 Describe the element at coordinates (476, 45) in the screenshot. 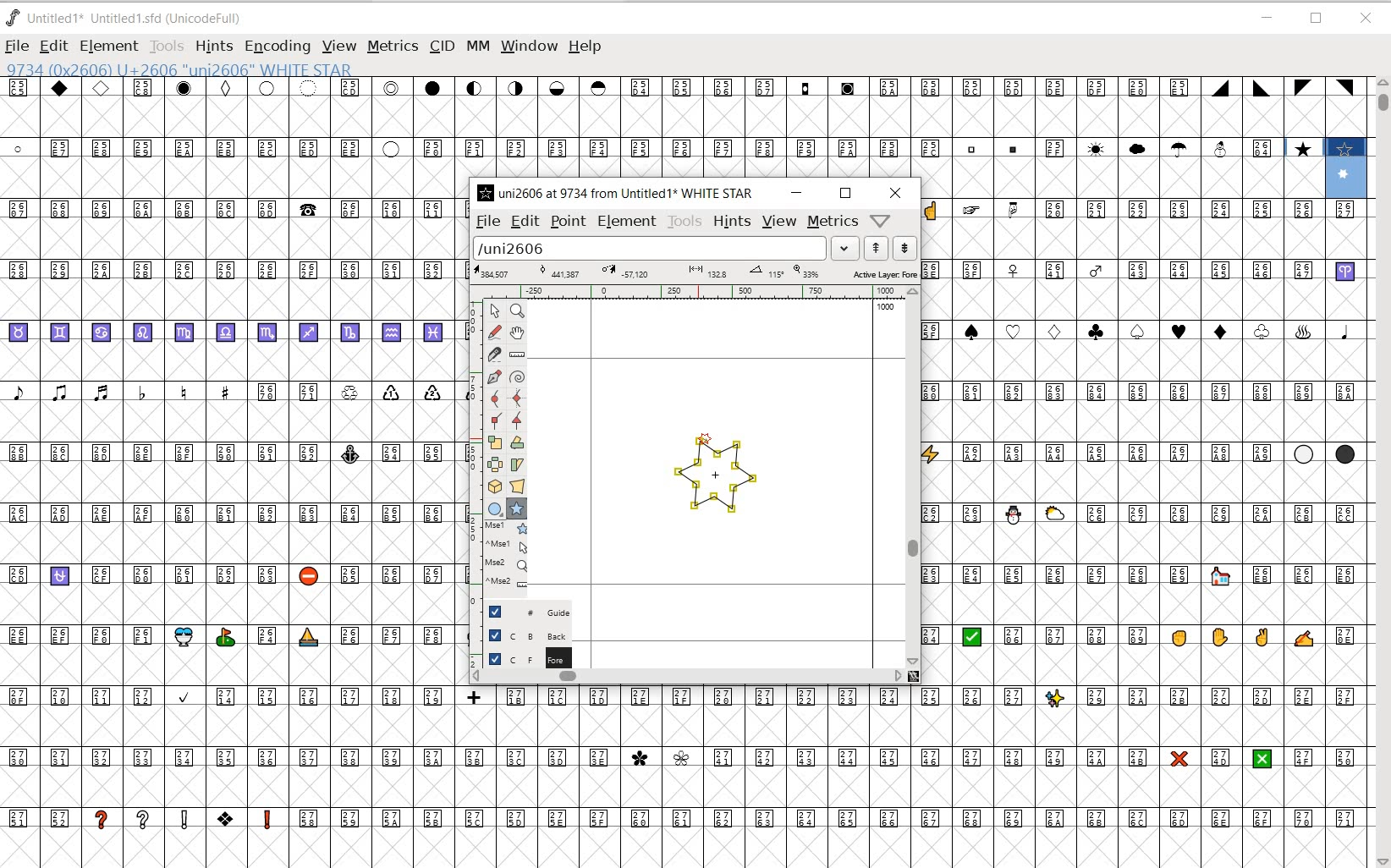

I see `MM` at that location.